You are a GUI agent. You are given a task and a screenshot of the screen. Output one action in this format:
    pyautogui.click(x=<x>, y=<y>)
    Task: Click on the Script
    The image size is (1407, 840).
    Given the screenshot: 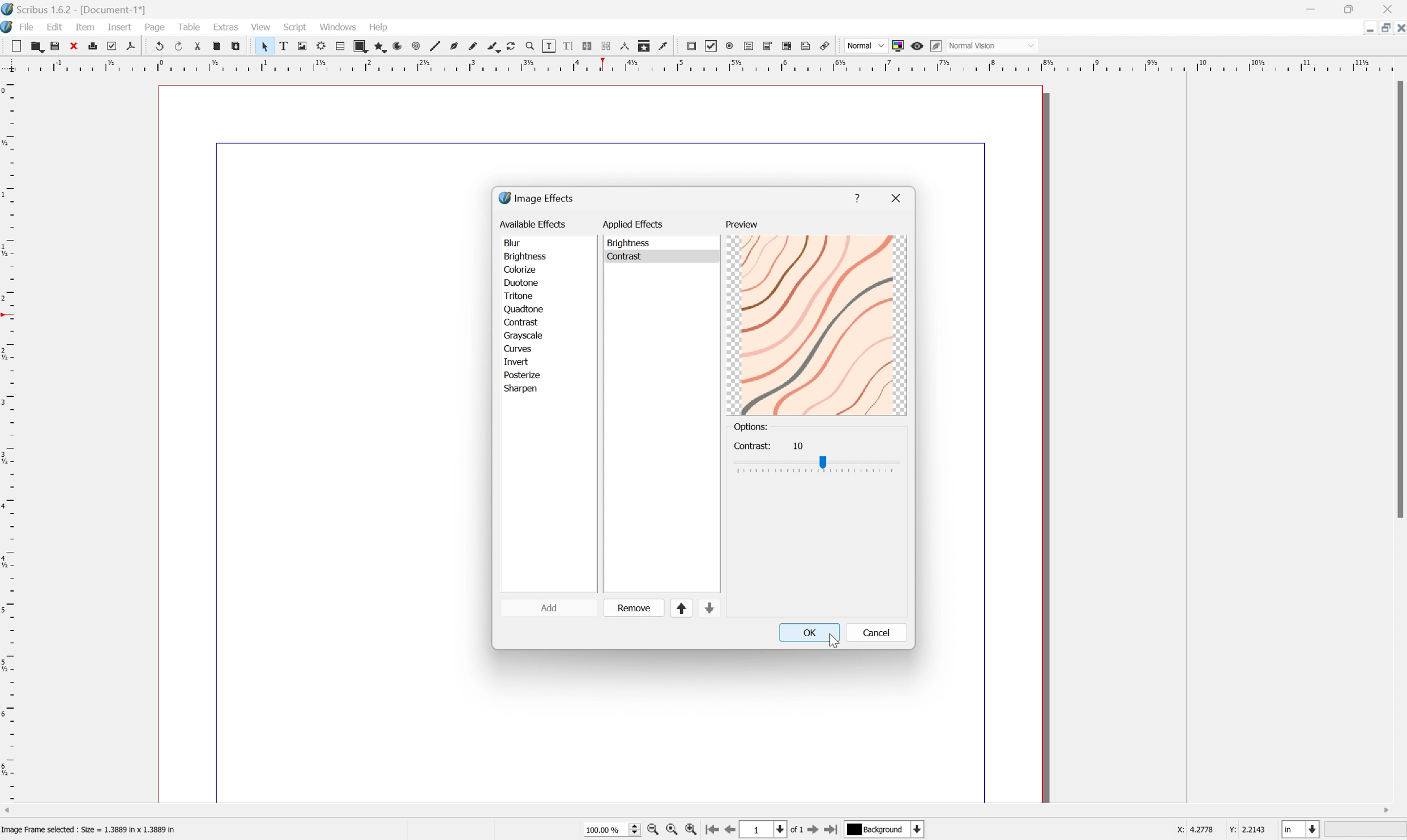 What is the action you would take?
    pyautogui.click(x=296, y=28)
    